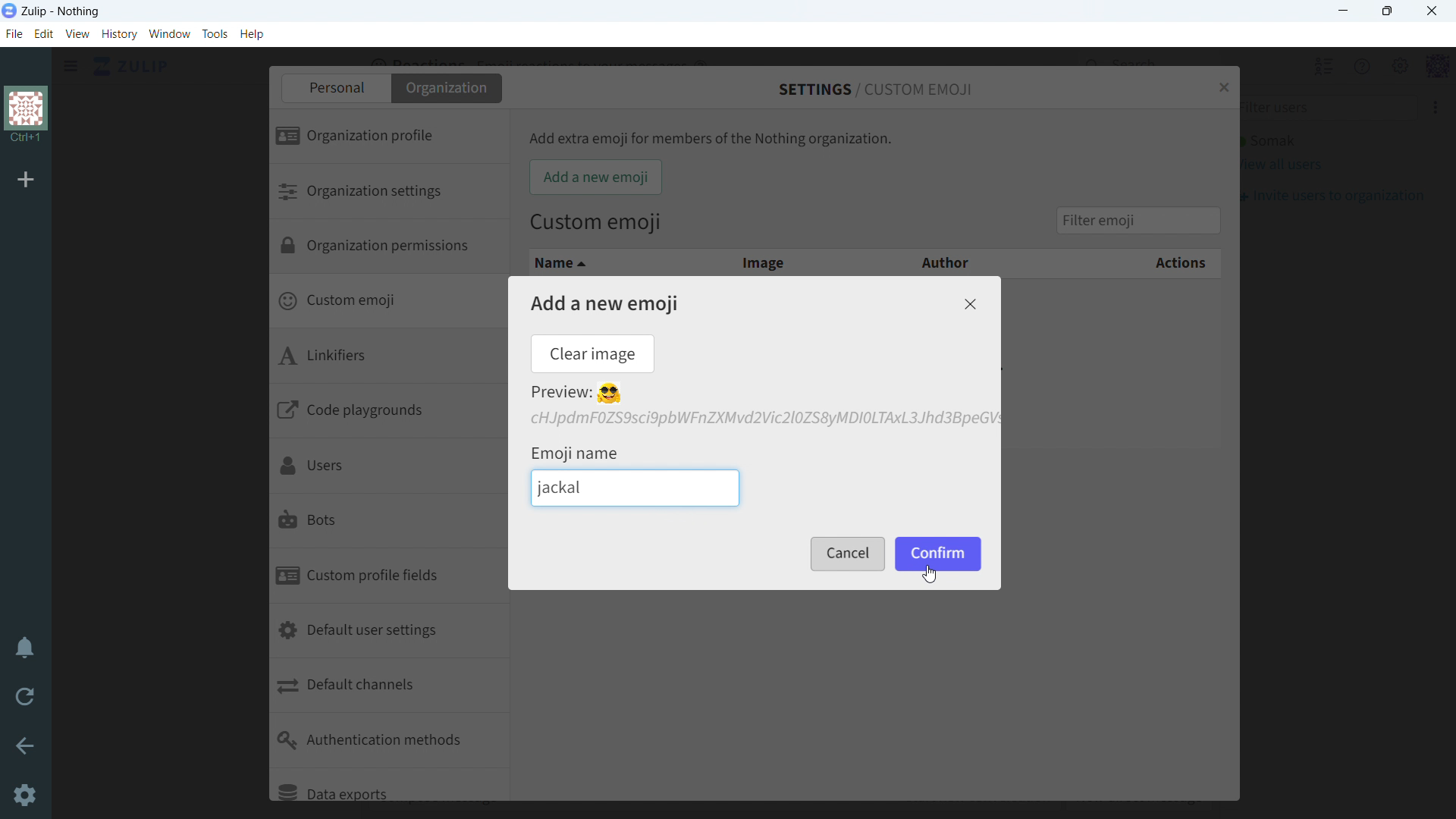  I want to click on enable do not disturb, so click(24, 649).